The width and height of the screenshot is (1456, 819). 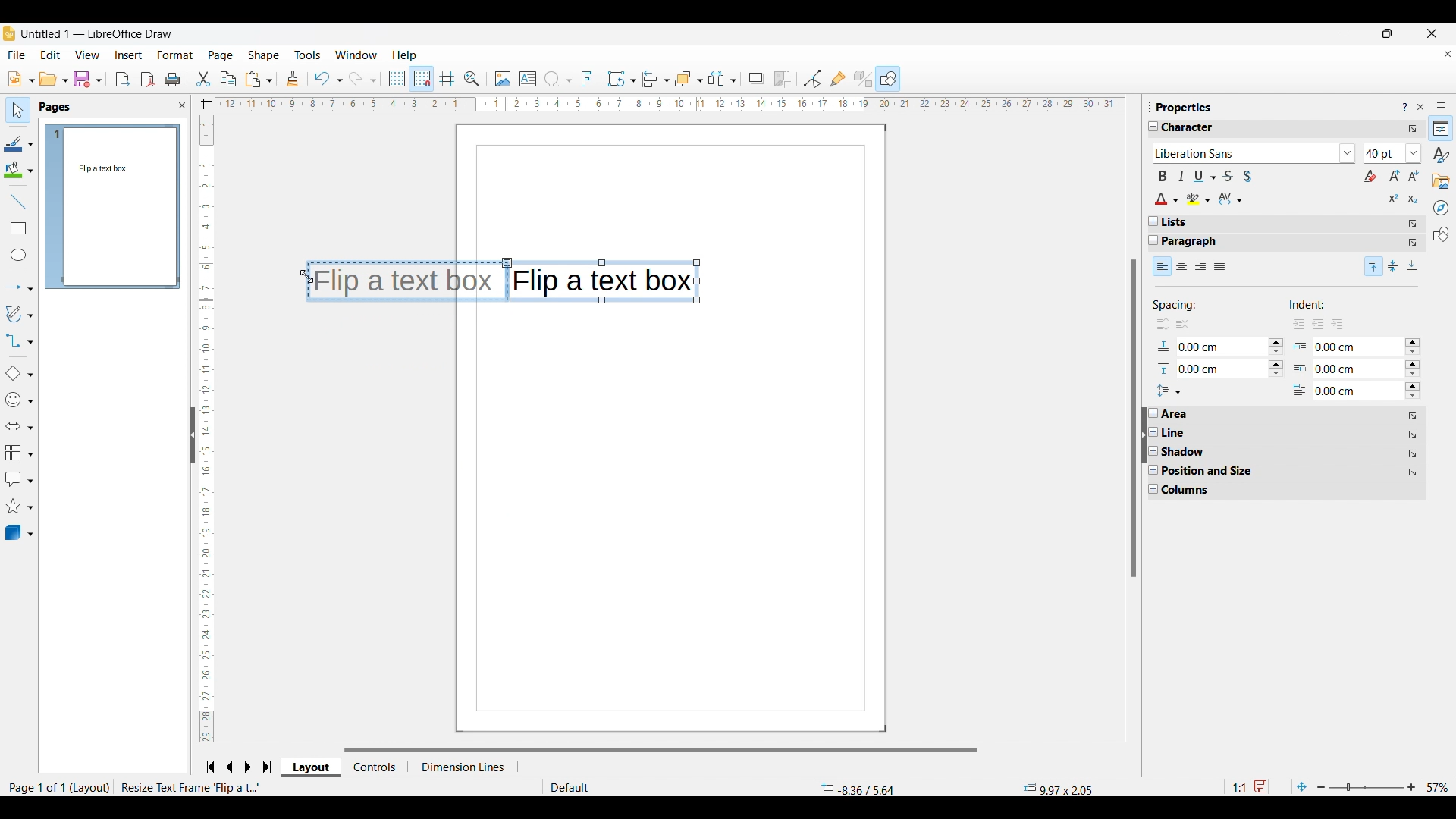 I want to click on Fit page to current window, so click(x=1302, y=786).